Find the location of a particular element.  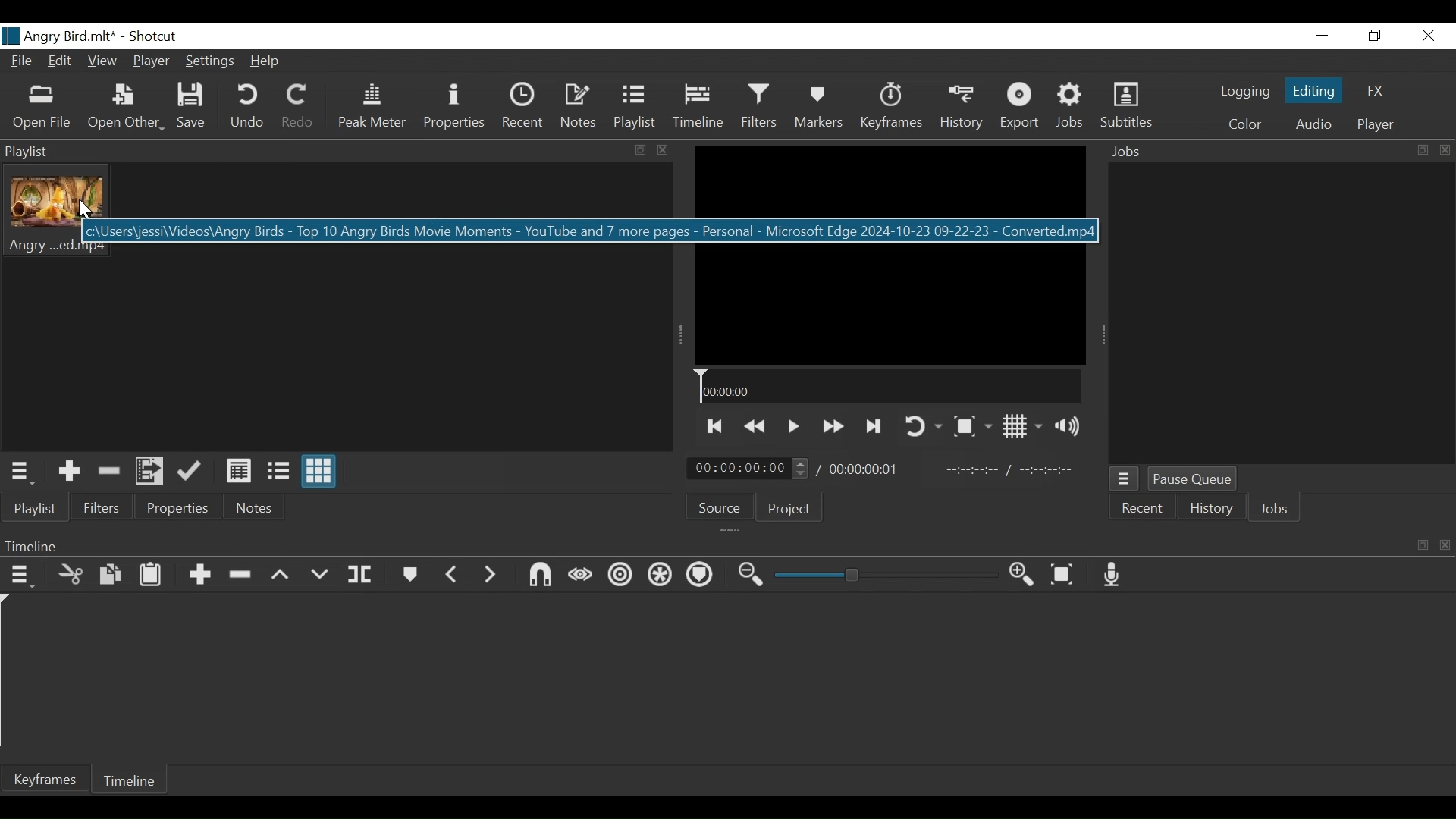

Jobs menu is located at coordinates (1125, 479).